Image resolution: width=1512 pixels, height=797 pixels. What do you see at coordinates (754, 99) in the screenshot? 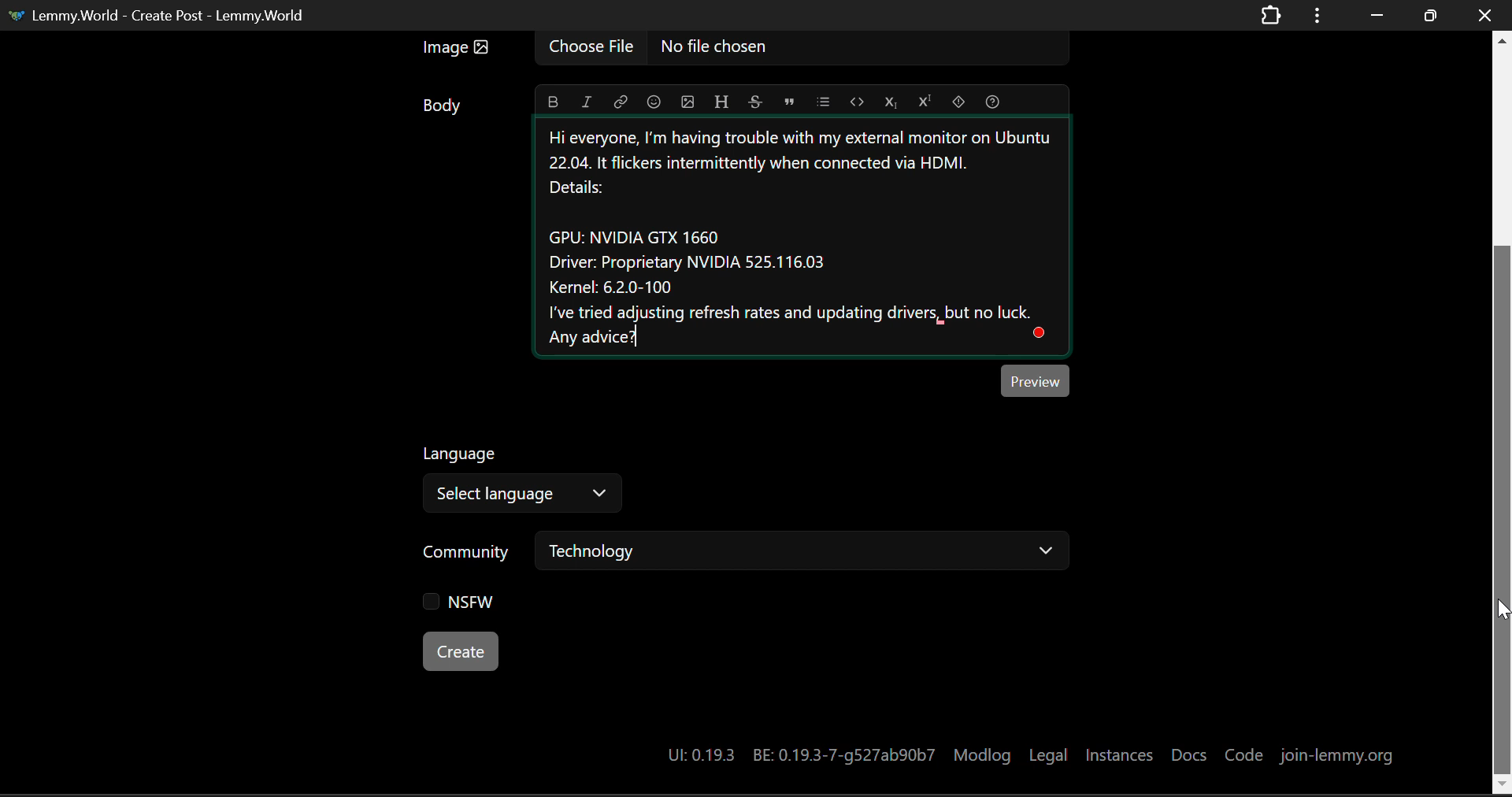
I see `Strikethrough` at bounding box center [754, 99].